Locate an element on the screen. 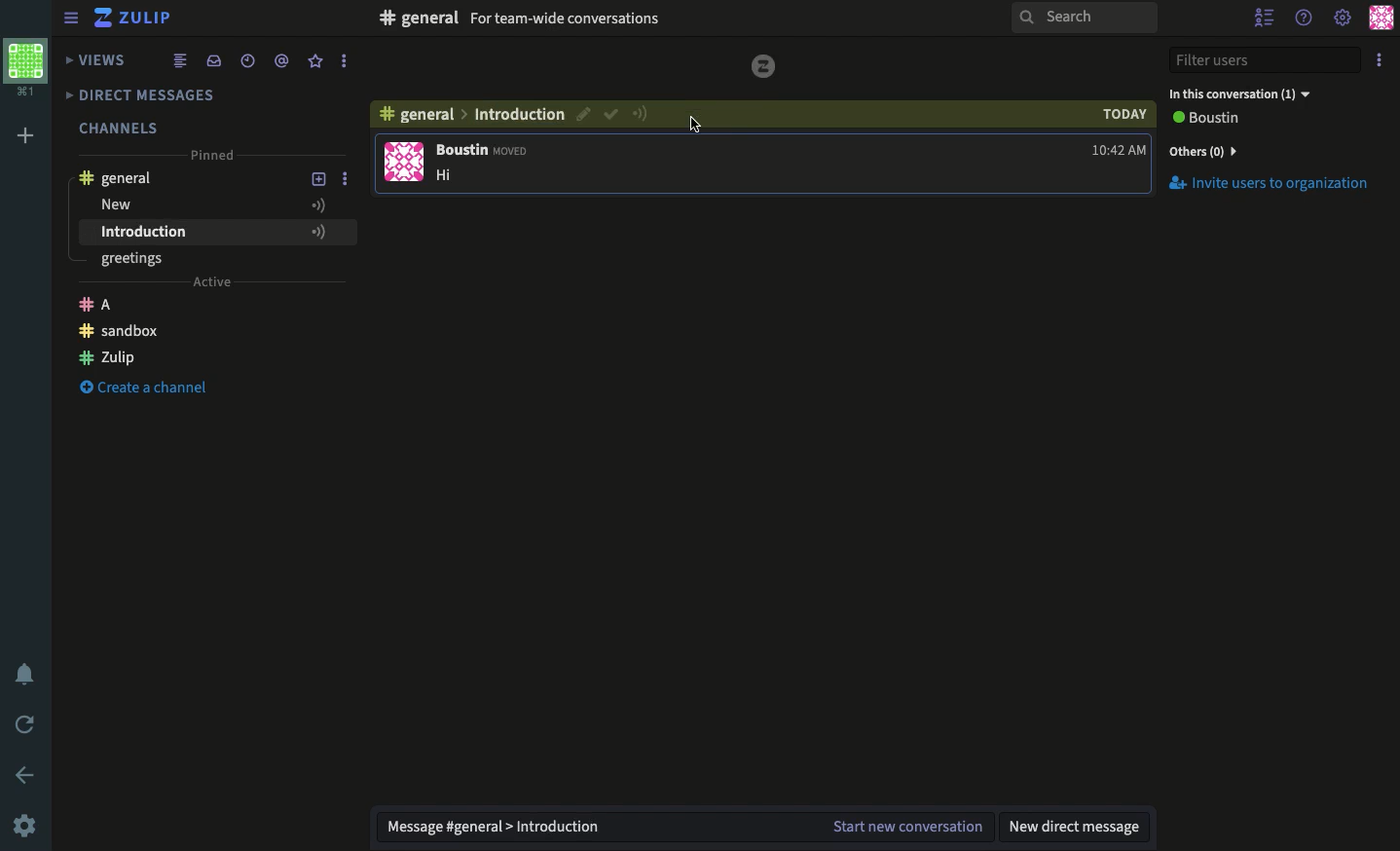 This screenshot has height=851, width=1400. Hide user list is located at coordinates (1264, 18).